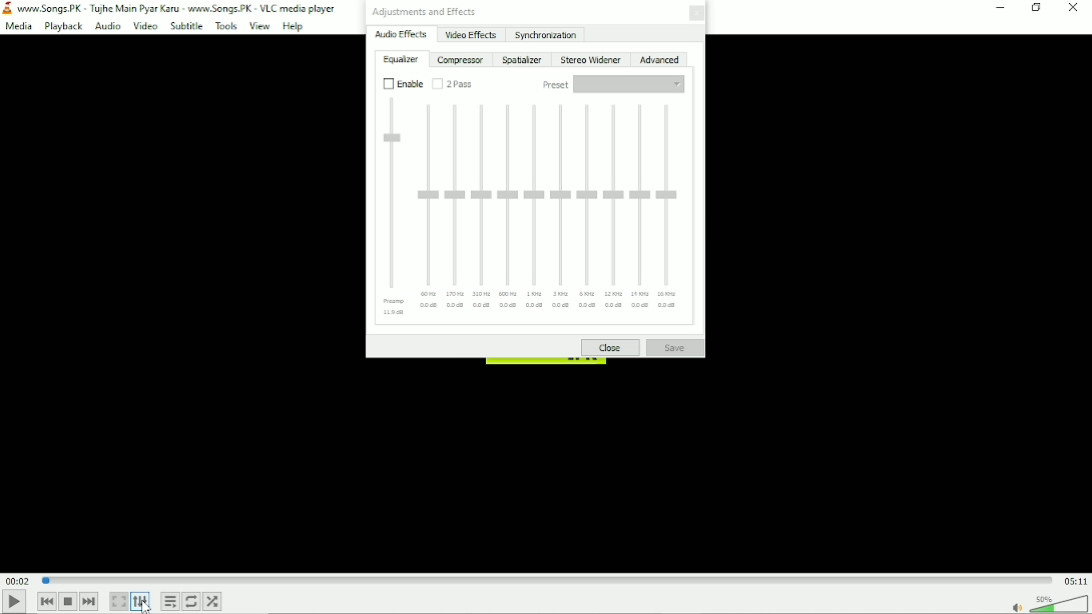 Image resolution: width=1092 pixels, height=614 pixels. What do you see at coordinates (90, 602) in the screenshot?
I see `Next` at bounding box center [90, 602].